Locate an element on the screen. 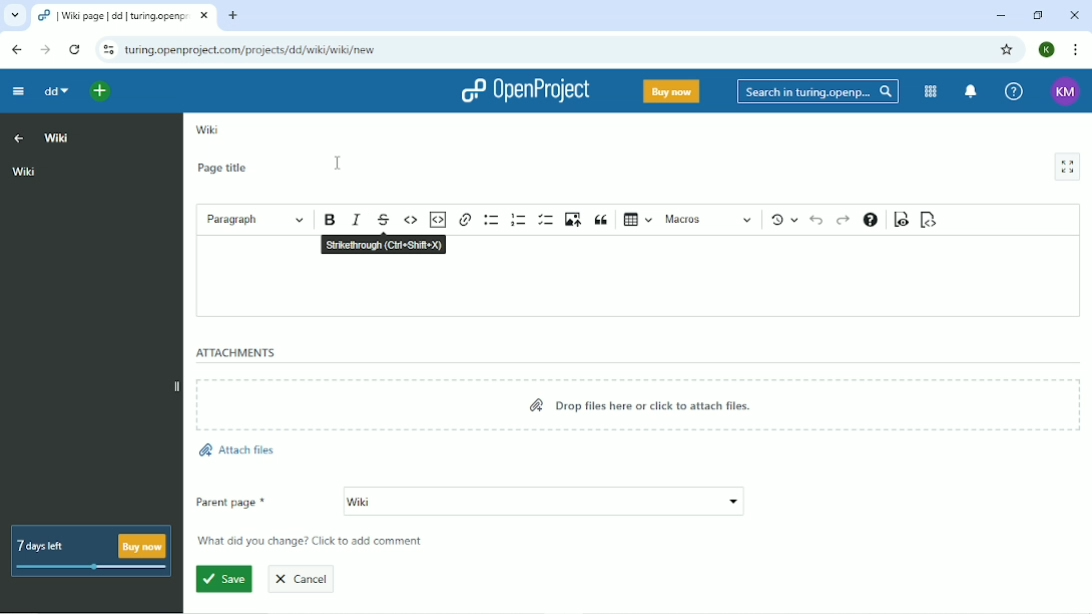 This screenshot has width=1092, height=614. Page title is located at coordinates (223, 170).